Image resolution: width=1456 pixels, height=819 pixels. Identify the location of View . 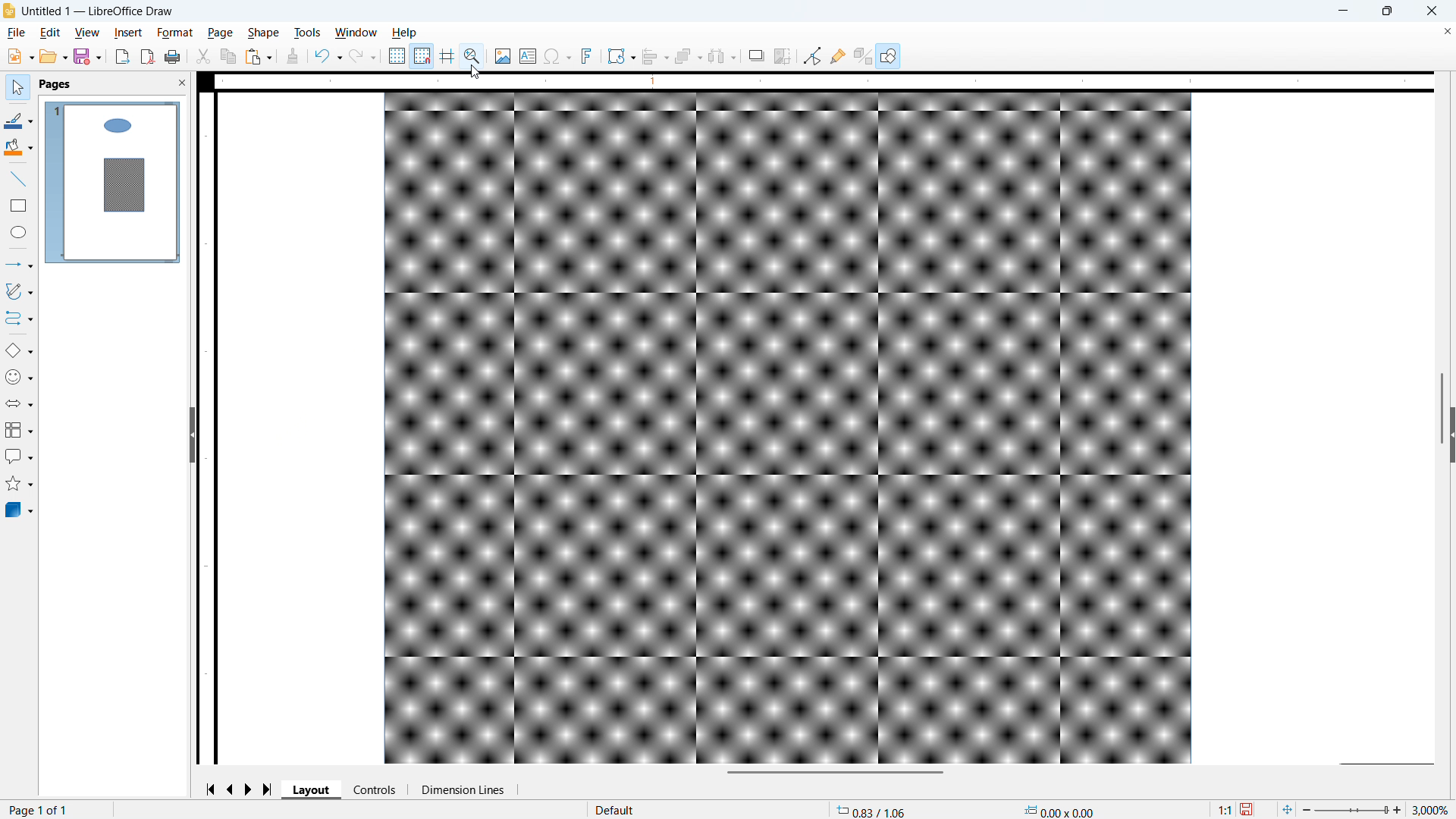
(89, 33).